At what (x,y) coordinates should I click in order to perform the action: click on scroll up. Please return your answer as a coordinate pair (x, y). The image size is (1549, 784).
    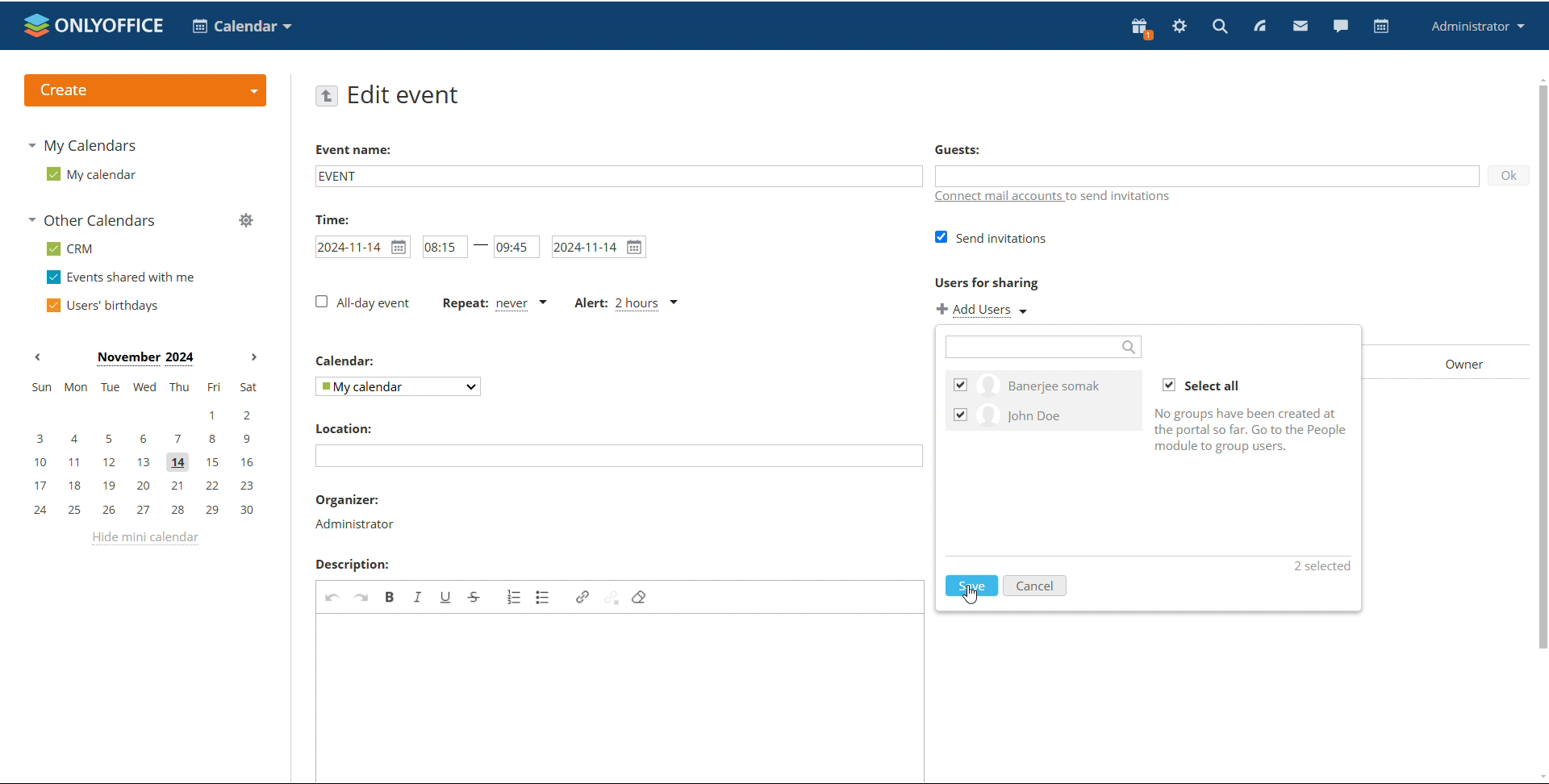
    Looking at the image, I should click on (1539, 78).